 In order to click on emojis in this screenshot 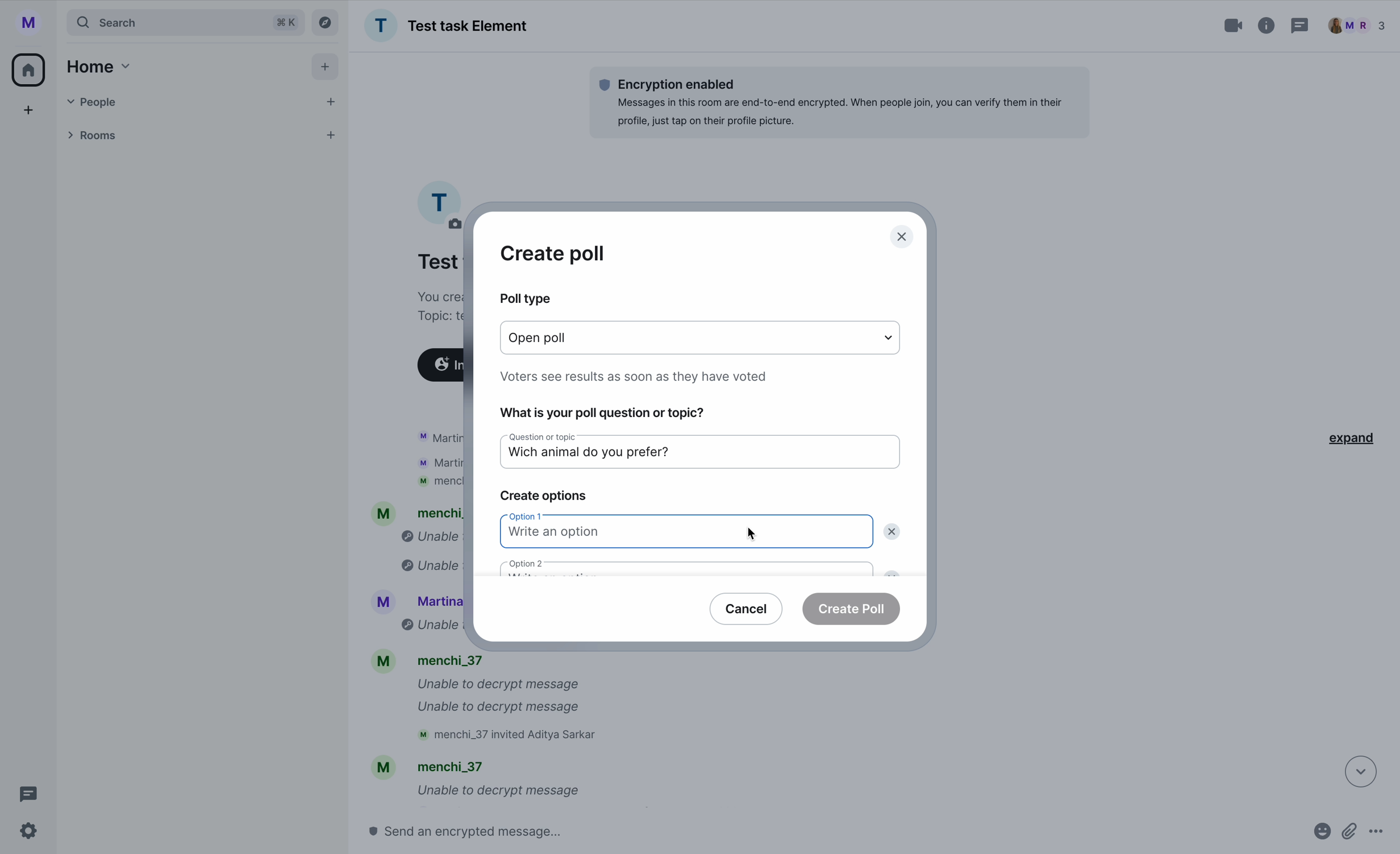, I will do `click(1319, 836)`.